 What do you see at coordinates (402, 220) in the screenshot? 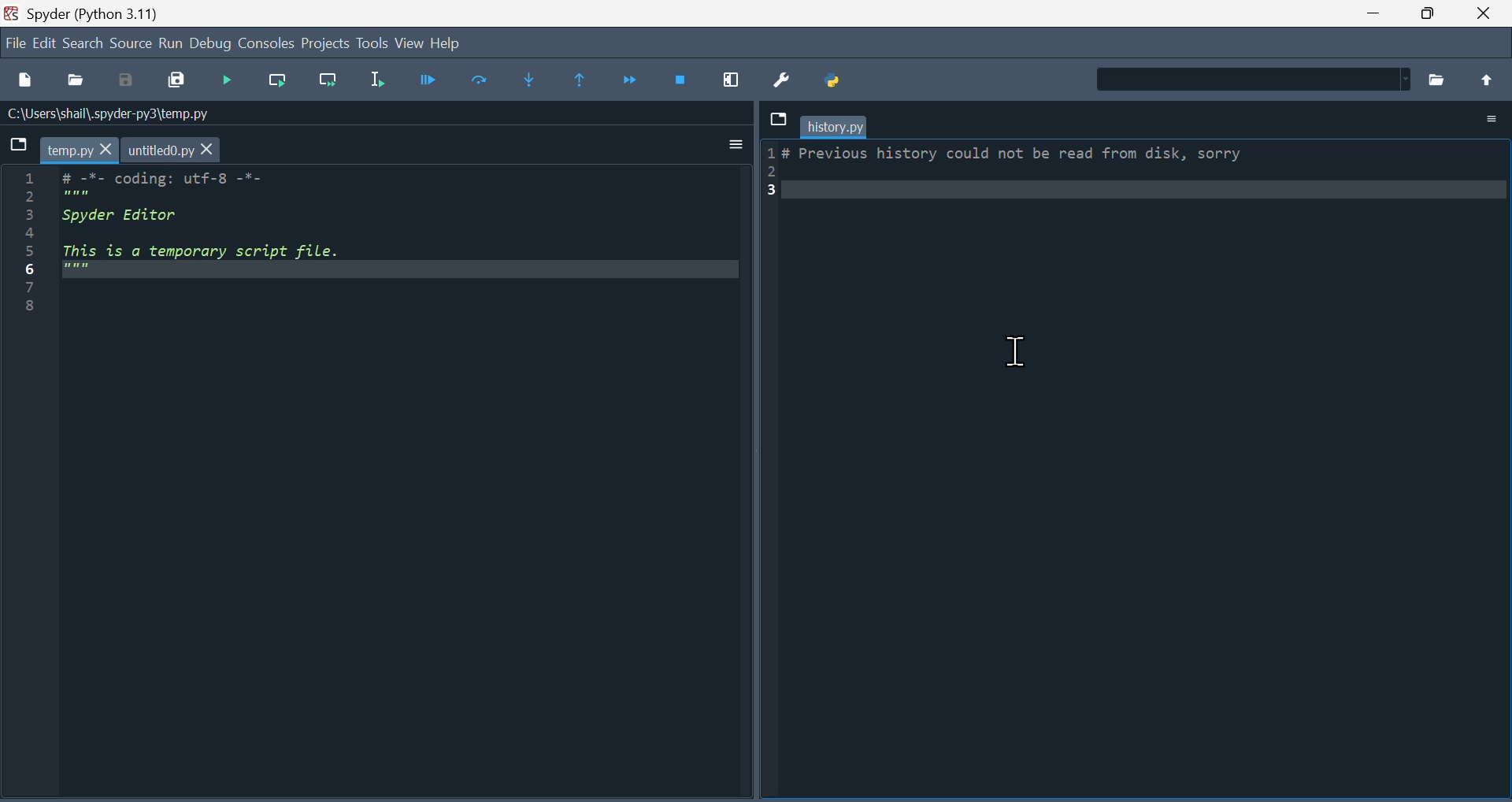
I see `code` at bounding box center [402, 220].